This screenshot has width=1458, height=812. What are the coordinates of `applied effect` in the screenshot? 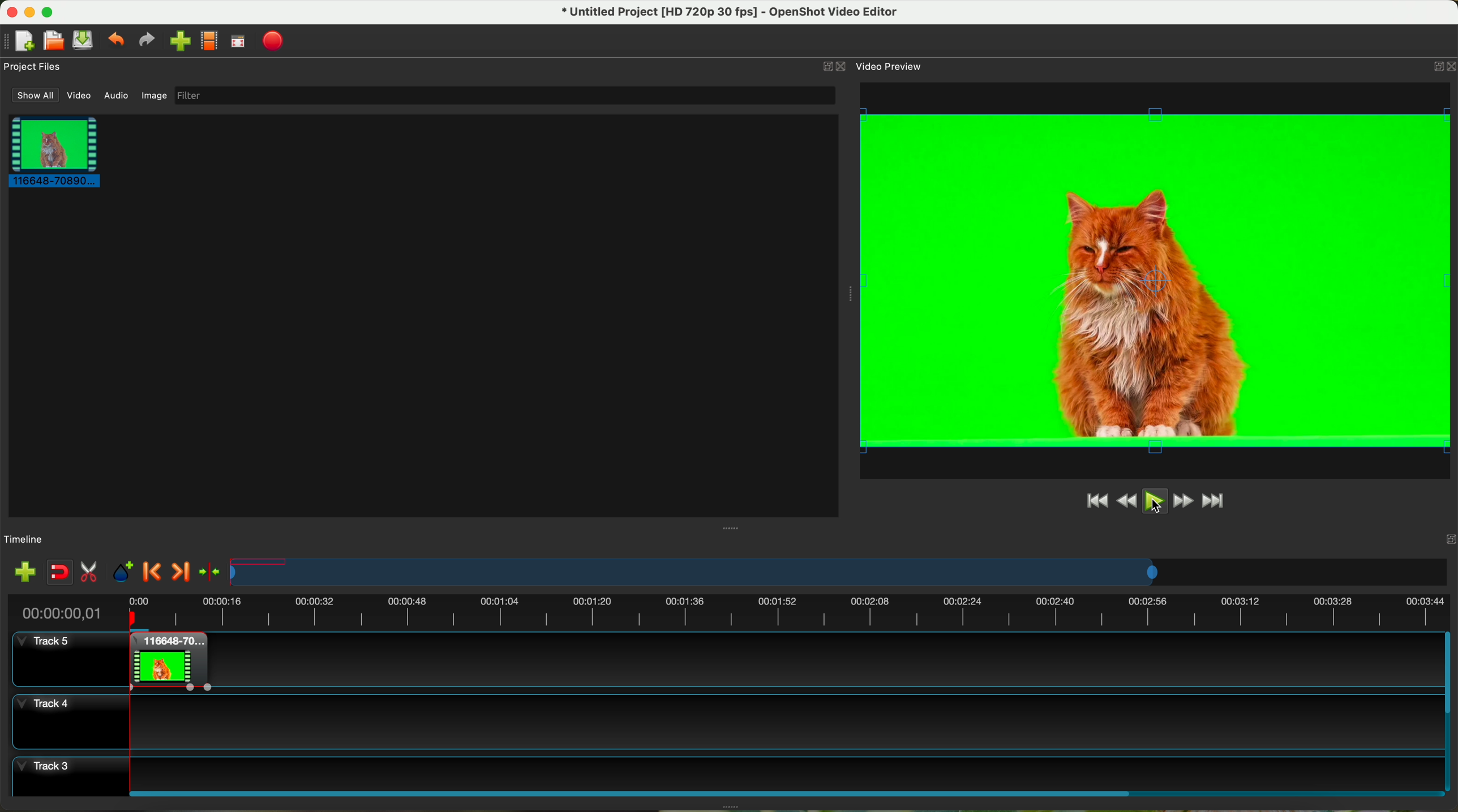 It's located at (169, 689).